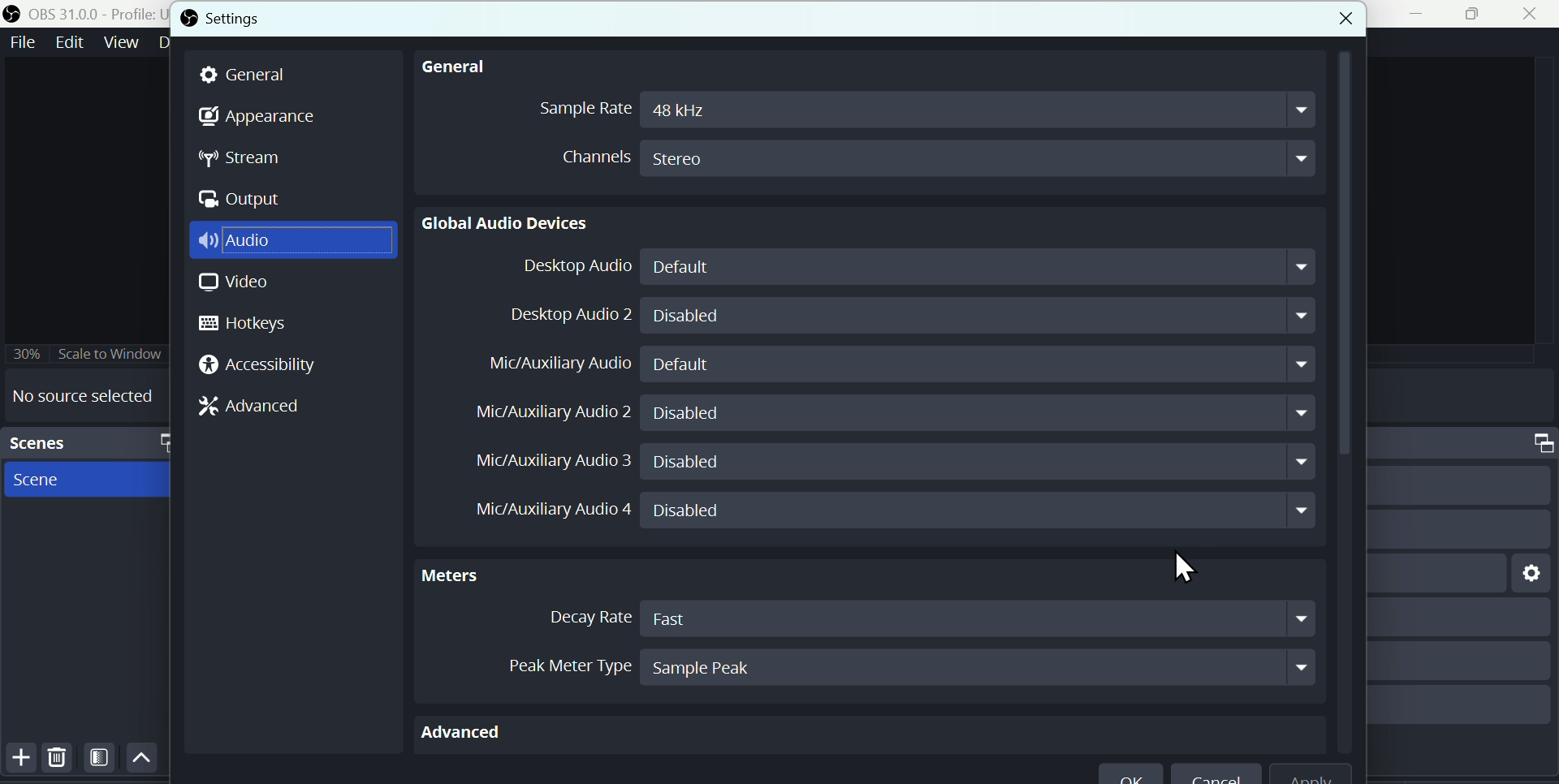 The width and height of the screenshot is (1559, 784). I want to click on Mic/Auxiliray Audio, so click(559, 363).